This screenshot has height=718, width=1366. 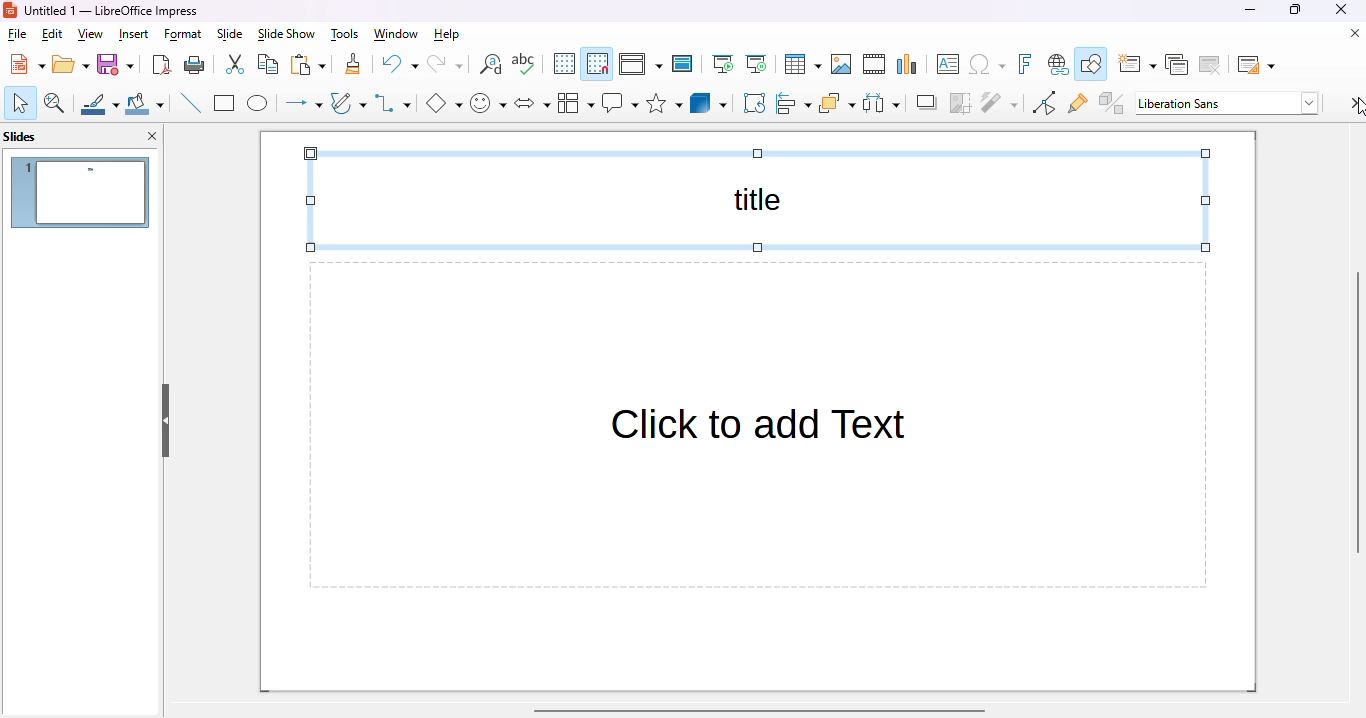 What do you see at coordinates (1058, 64) in the screenshot?
I see `insert hyperlink` at bounding box center [1058, 64].